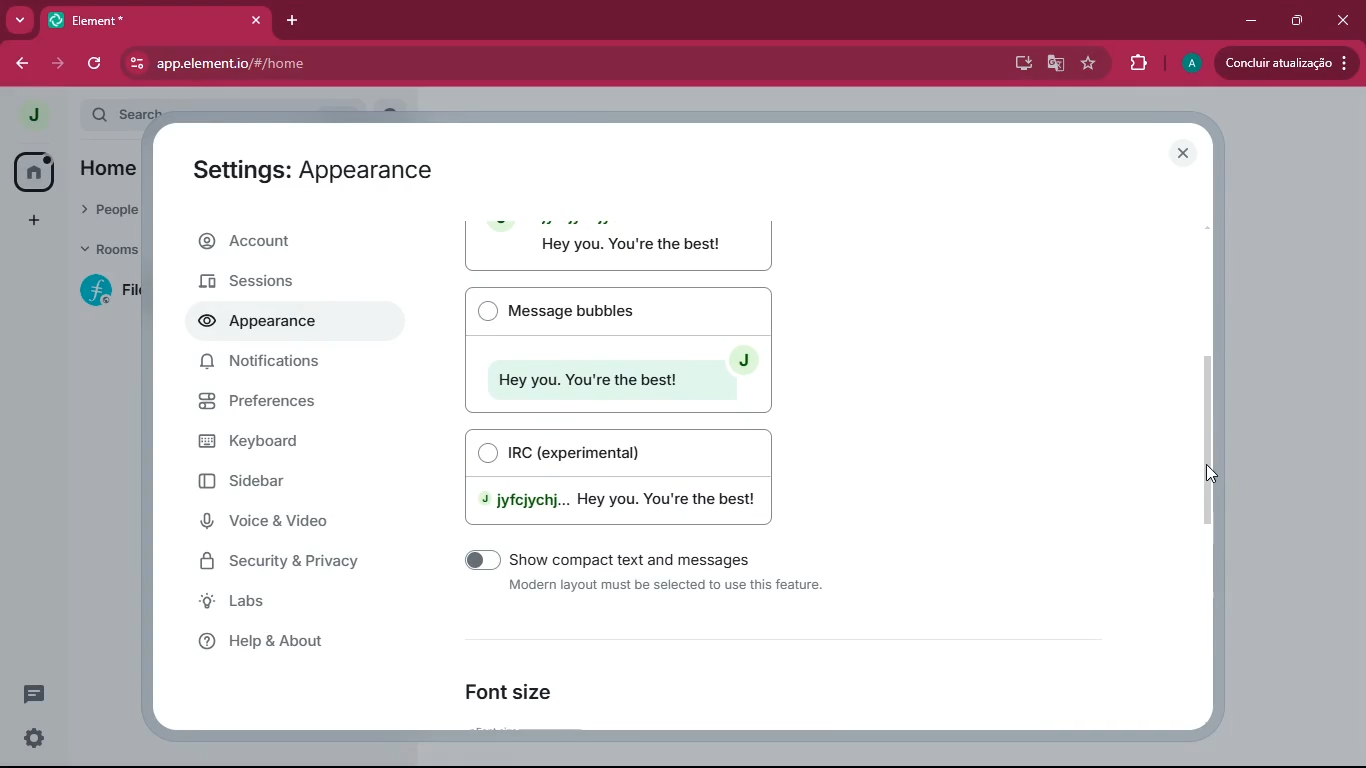 The image size is (1366, 768). Describe the element at coordinates (31, 114) in the screenshot. I see `profile picture` at that location.